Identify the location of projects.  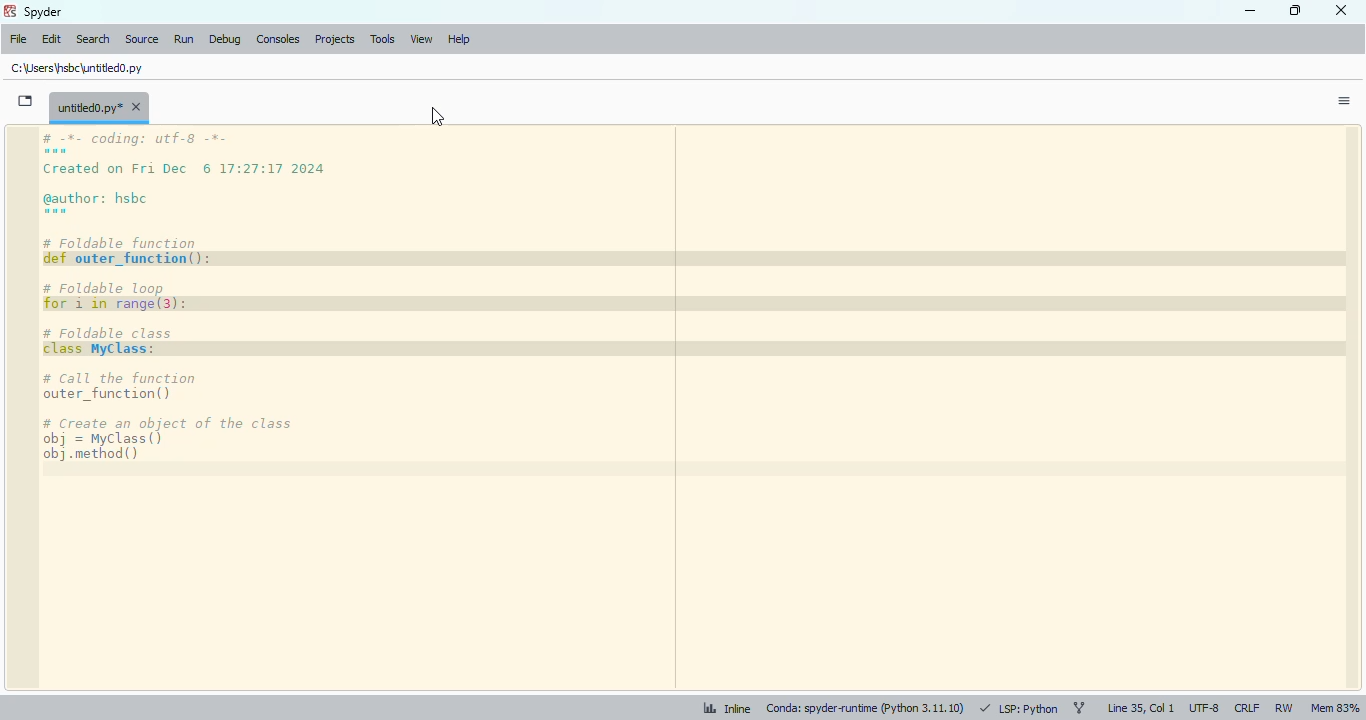
(335, 39).